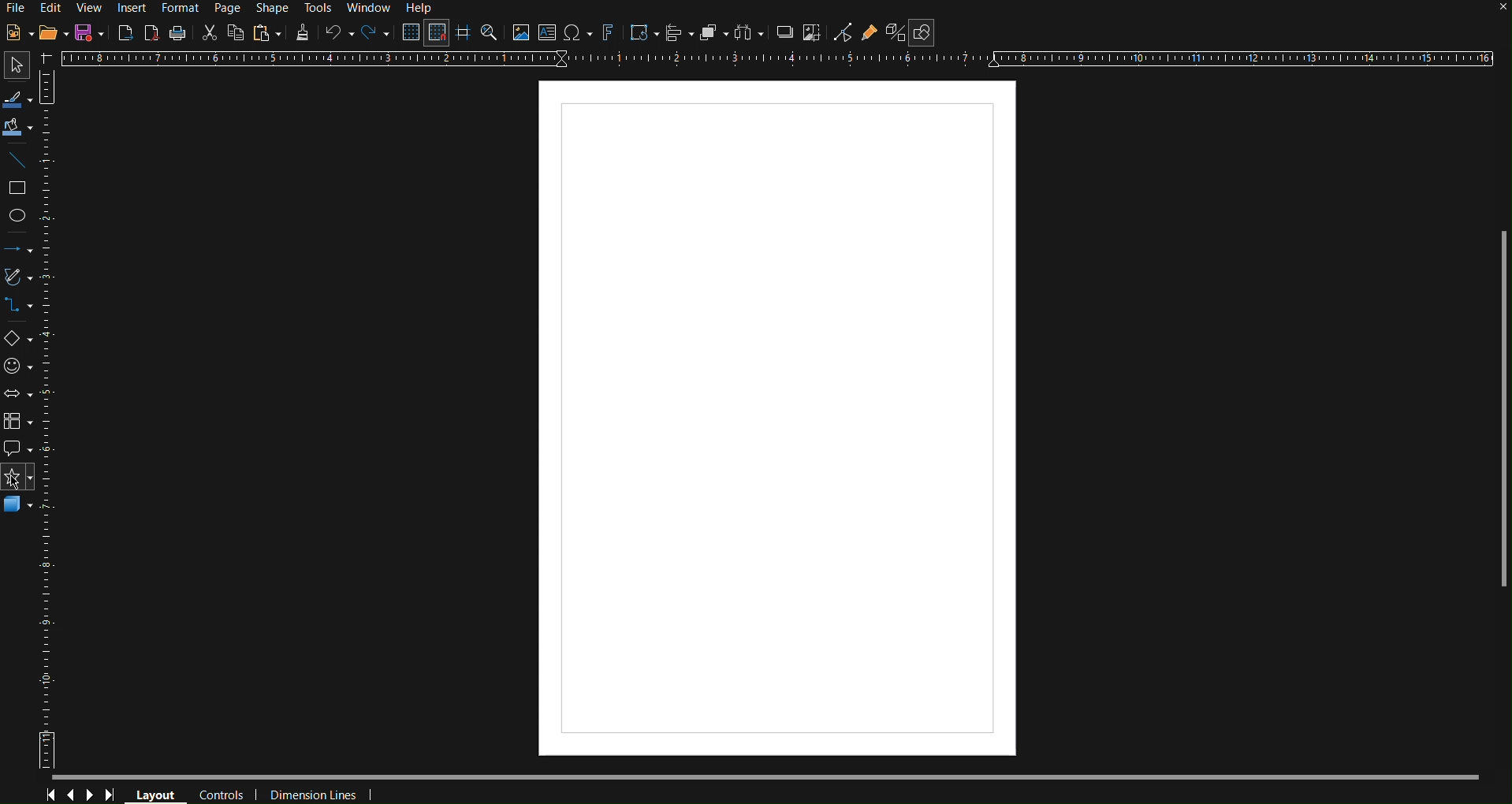 The height and width of the screenshot is (804, 1512). Describe the element at coordinates (609, 34) in the screenshot. I see `Fontwork` at that location.